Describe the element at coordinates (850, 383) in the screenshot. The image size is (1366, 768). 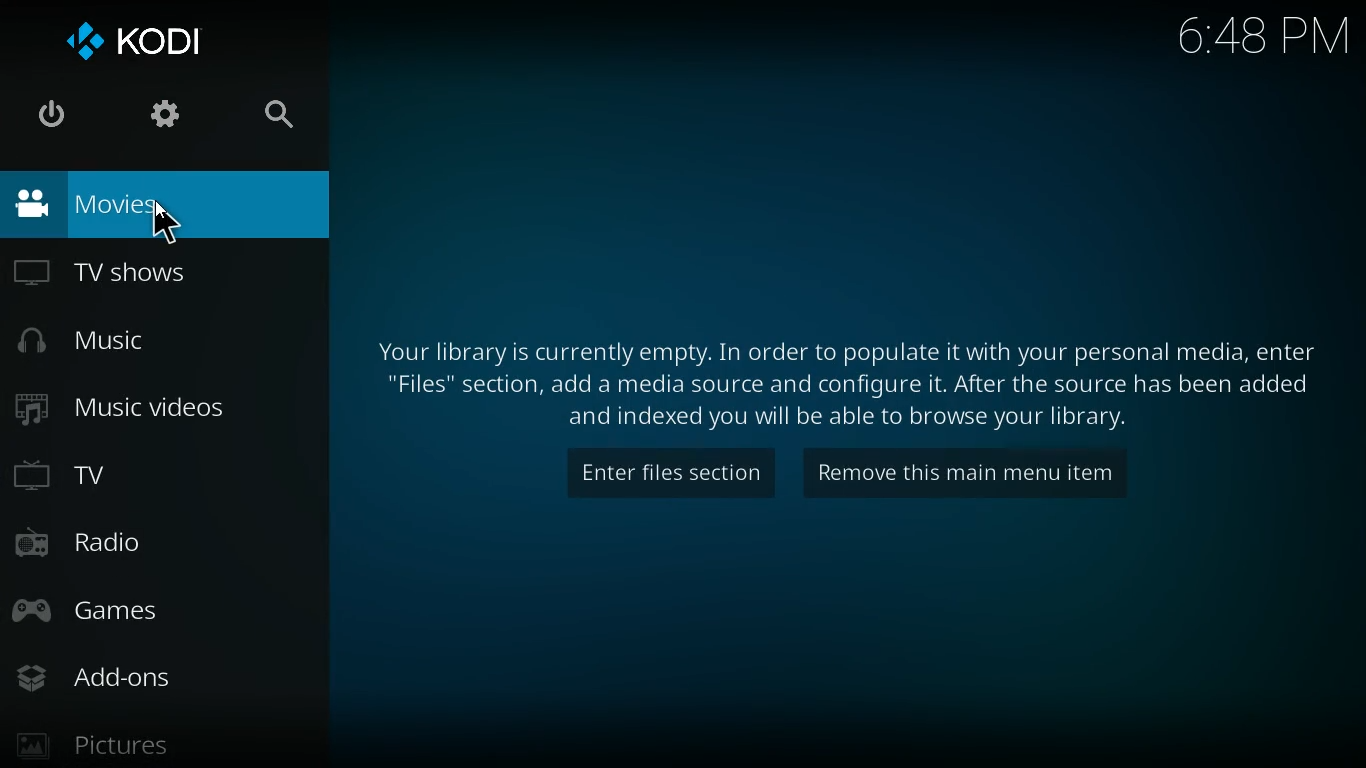
I see `message` at that location.